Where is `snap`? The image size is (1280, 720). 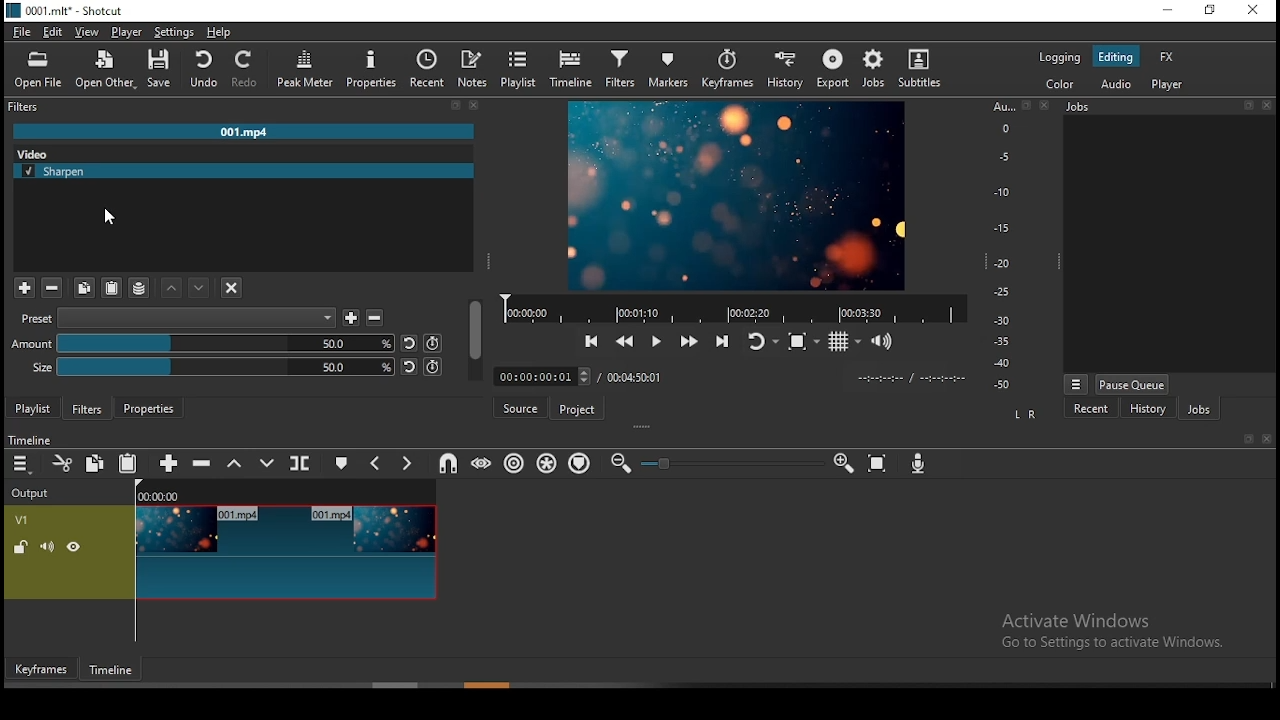
snap is located at coordinates (444, 464).